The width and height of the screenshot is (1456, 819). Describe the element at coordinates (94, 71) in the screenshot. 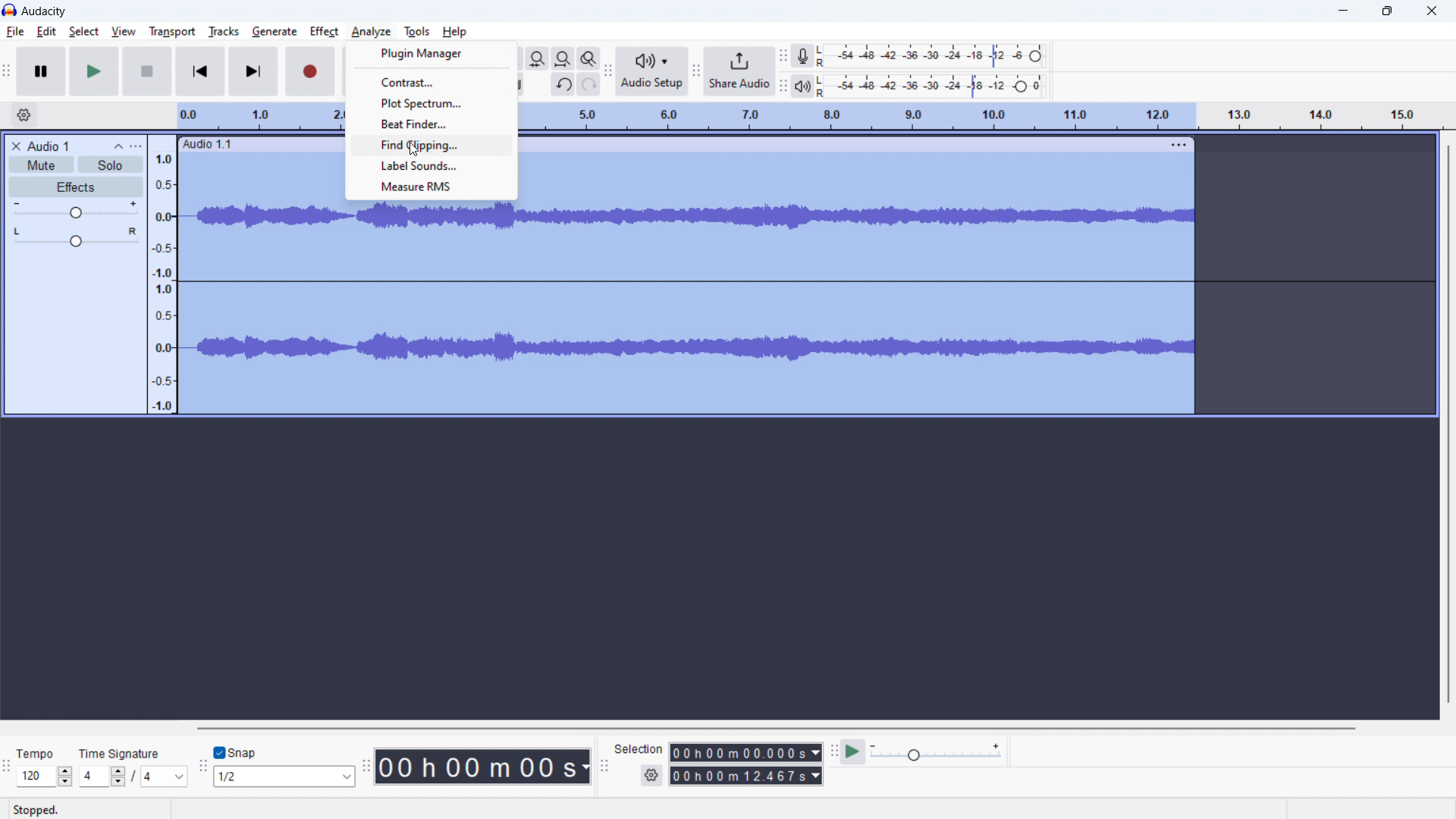

I see `play` at that location.